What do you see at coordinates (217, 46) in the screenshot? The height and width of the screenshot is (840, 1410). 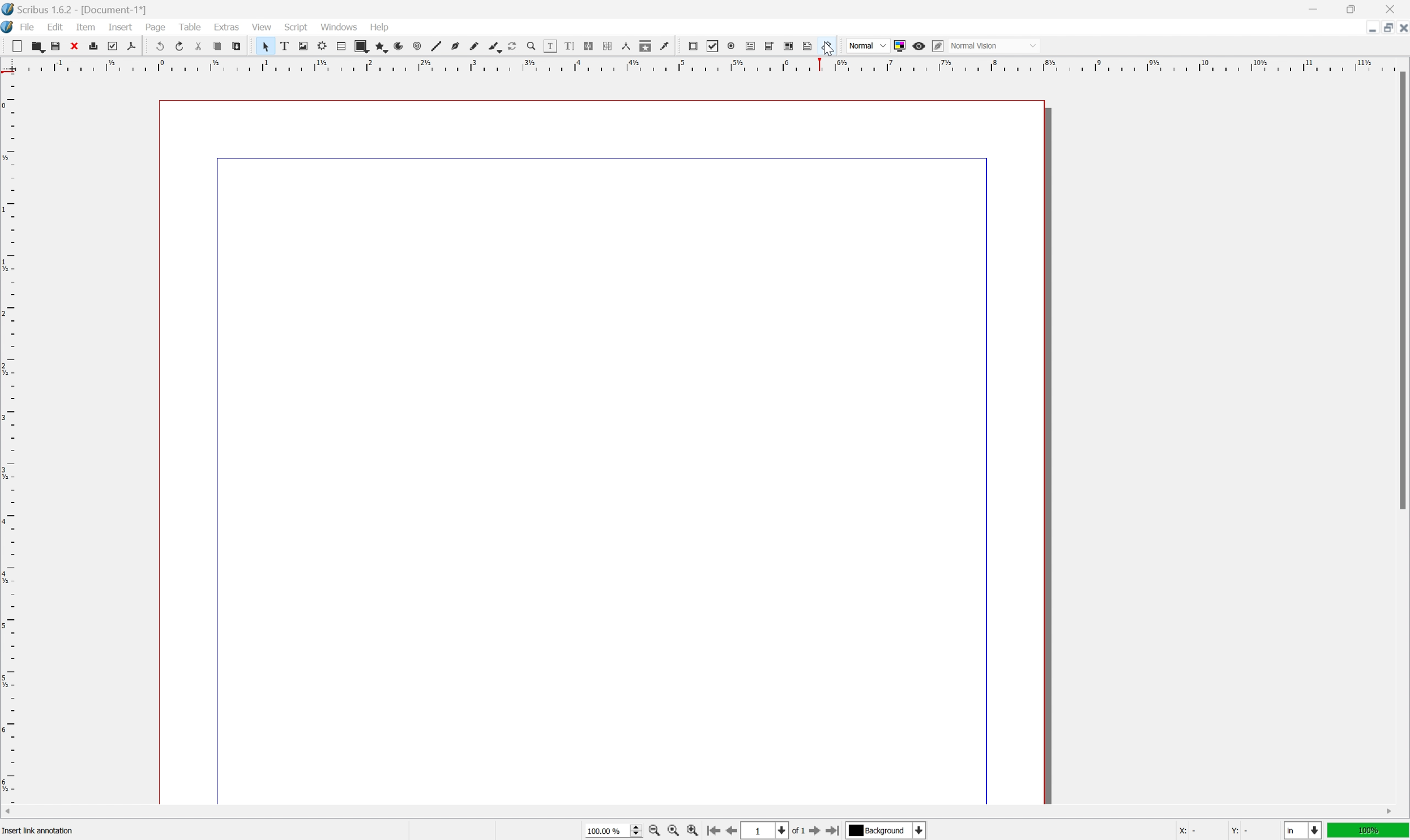 I see `copy` at bounding box center [217, 46].